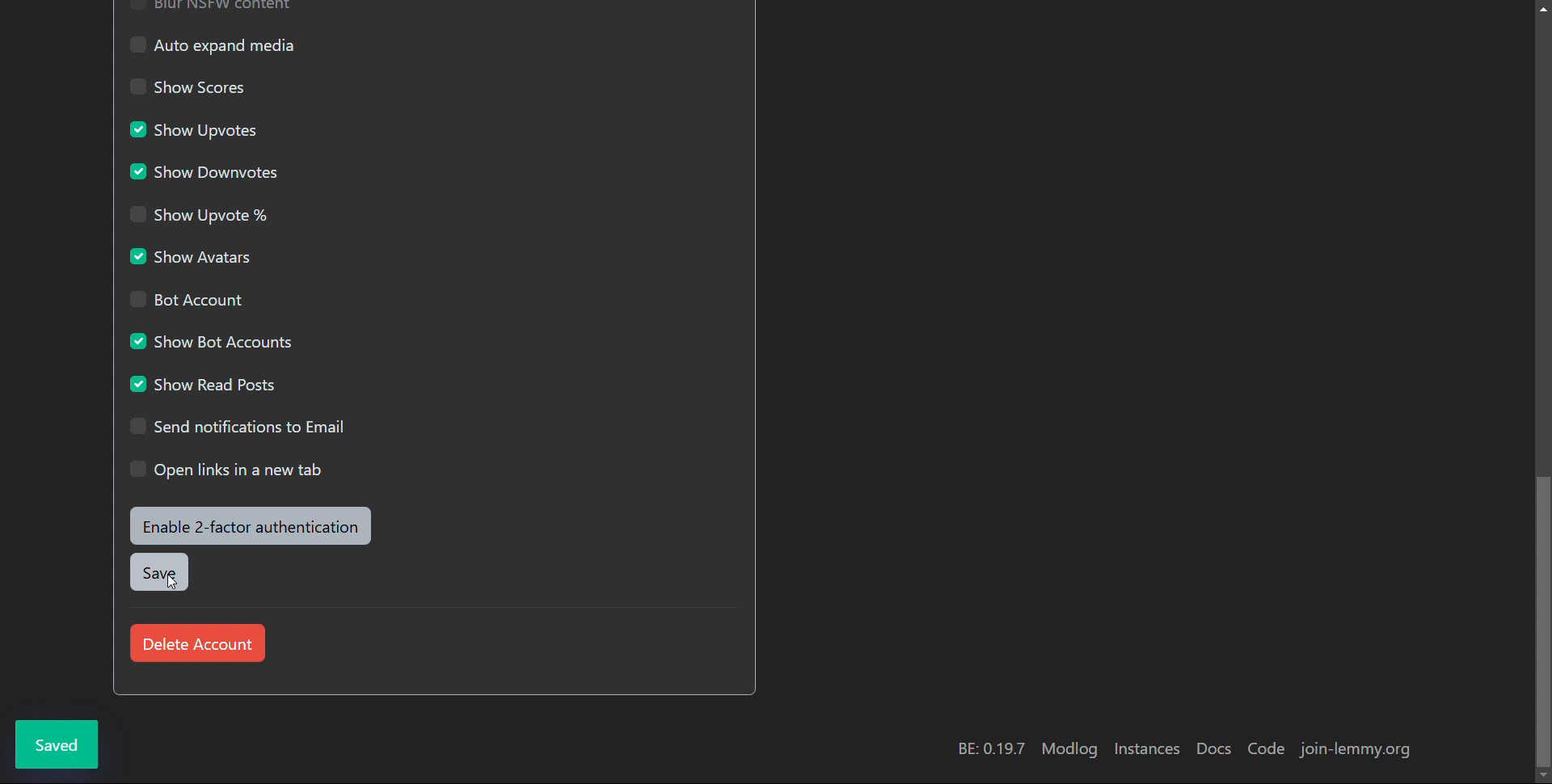  I want to click on saved, so click(57, 744).